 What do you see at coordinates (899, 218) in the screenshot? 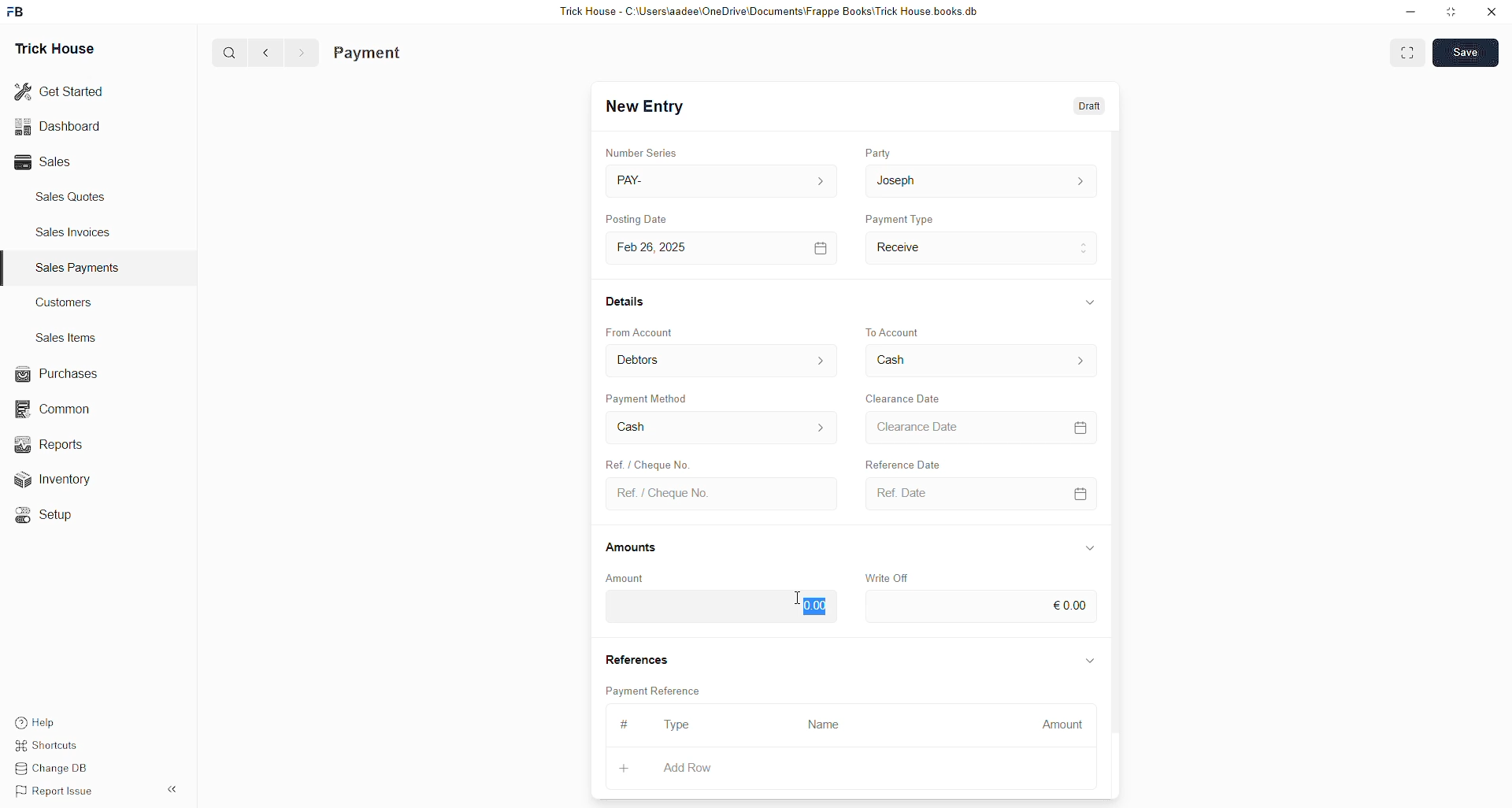
I see `Payment Type` at bounding box center [899, 218].